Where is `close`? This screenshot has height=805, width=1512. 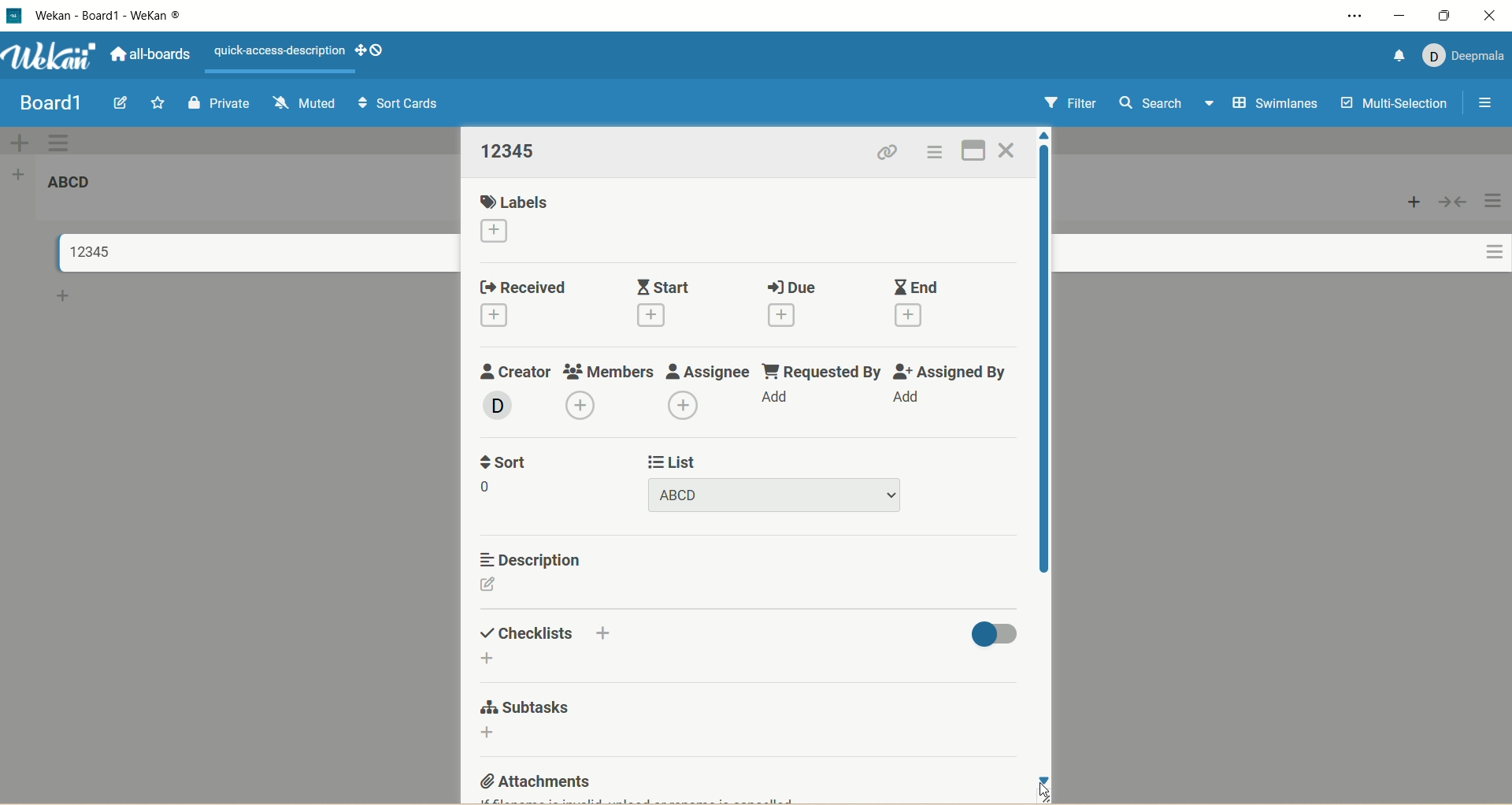
close is located at coordinates (1007, 151).